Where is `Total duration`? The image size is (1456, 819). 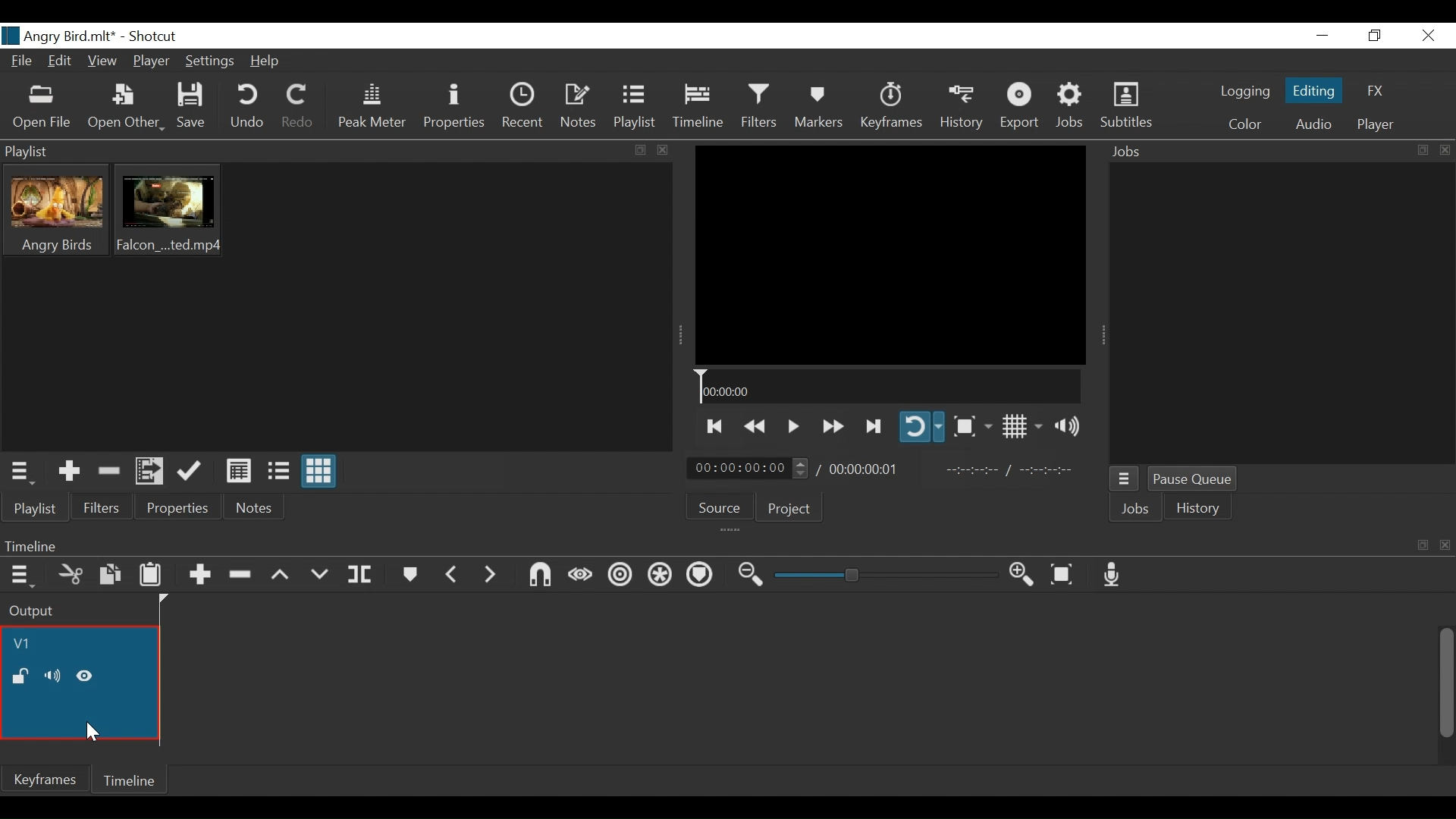
Total duration is located at coordinates (868, 469).